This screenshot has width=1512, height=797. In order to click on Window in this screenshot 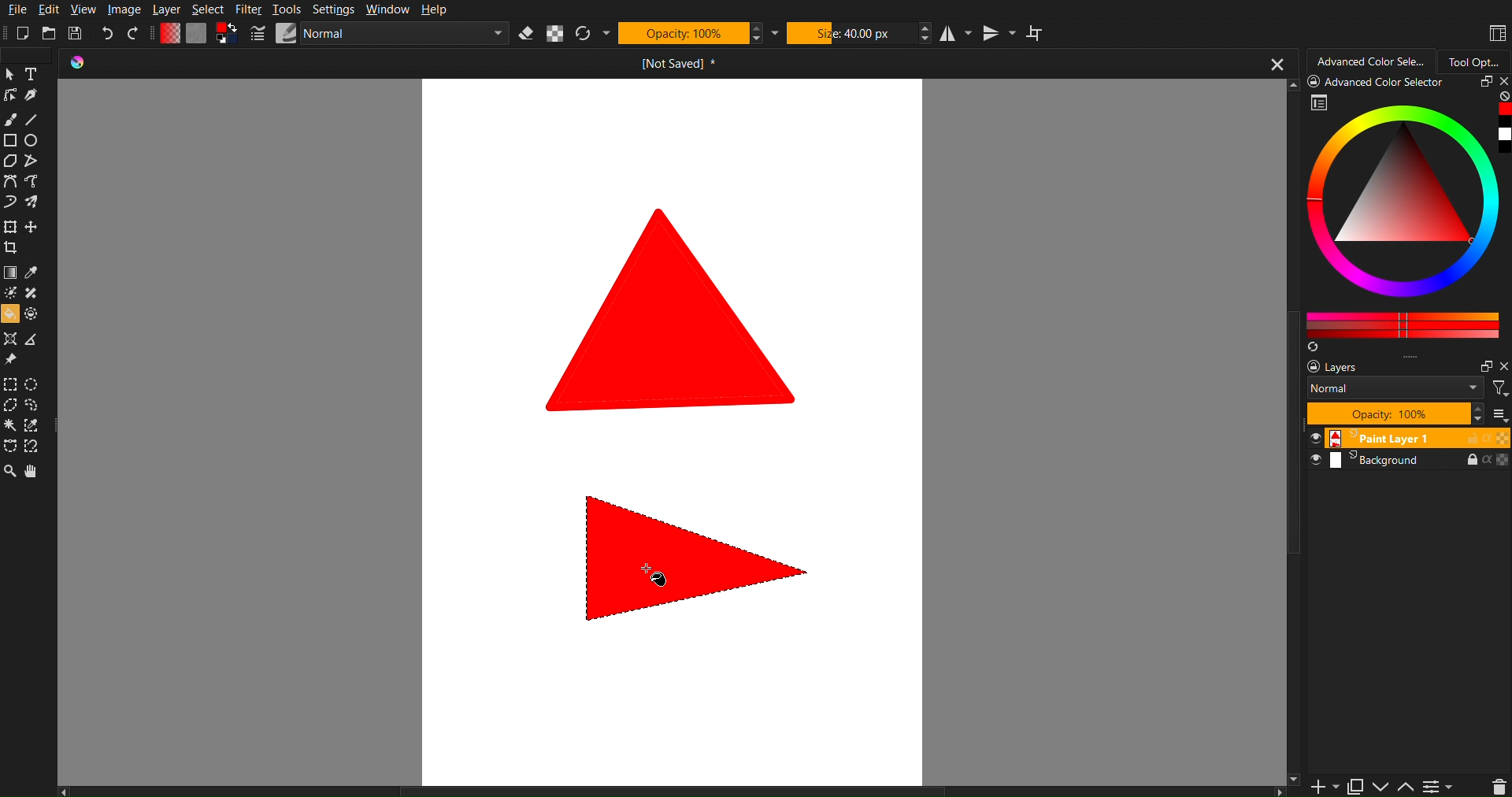, I will do `click(387, 11)`.